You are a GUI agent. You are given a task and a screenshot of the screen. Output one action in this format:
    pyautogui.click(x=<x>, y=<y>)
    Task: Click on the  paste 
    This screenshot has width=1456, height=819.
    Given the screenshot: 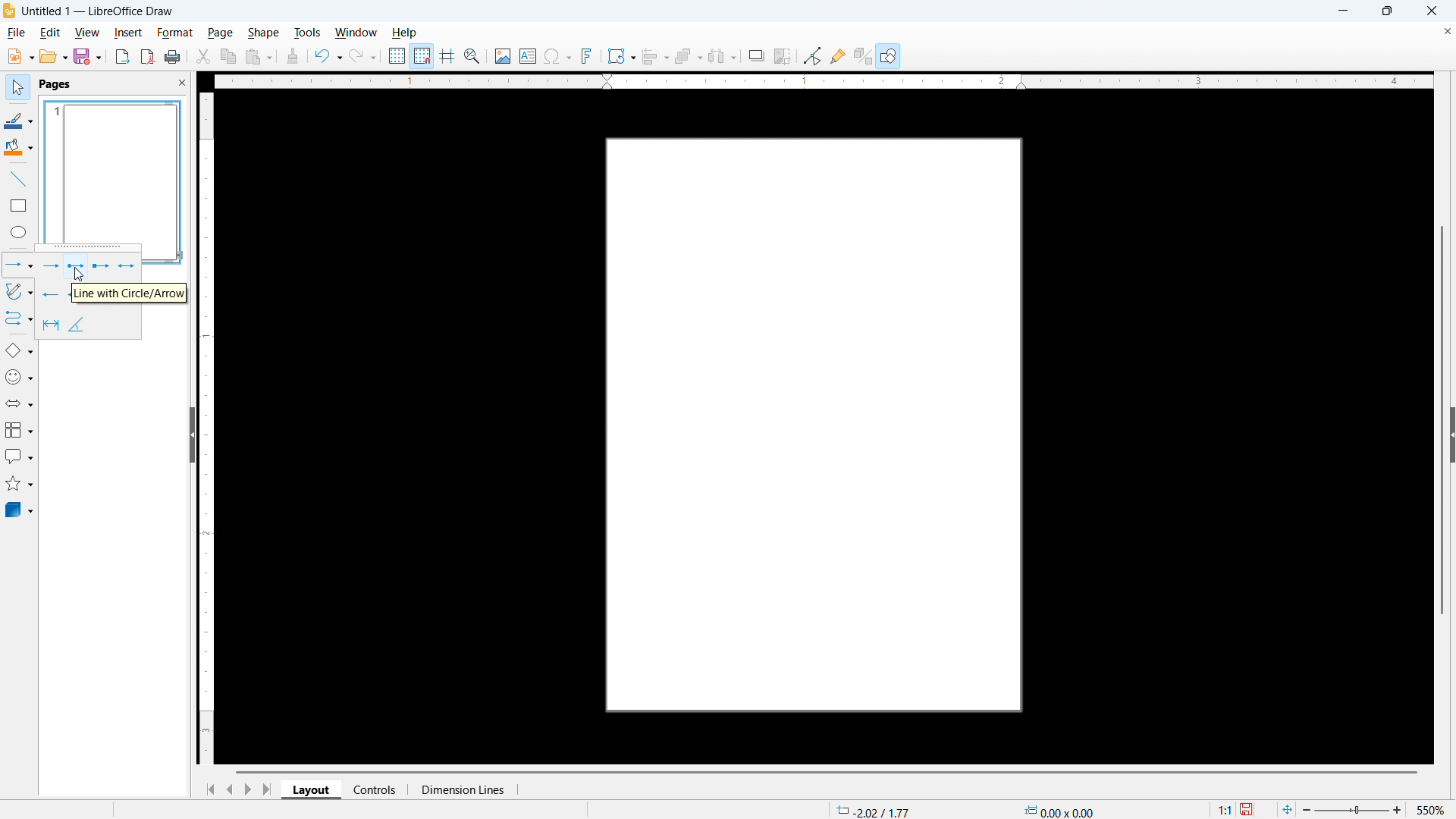 What is the action you would take?
    pyautogui.click(x=259, y=58)
    